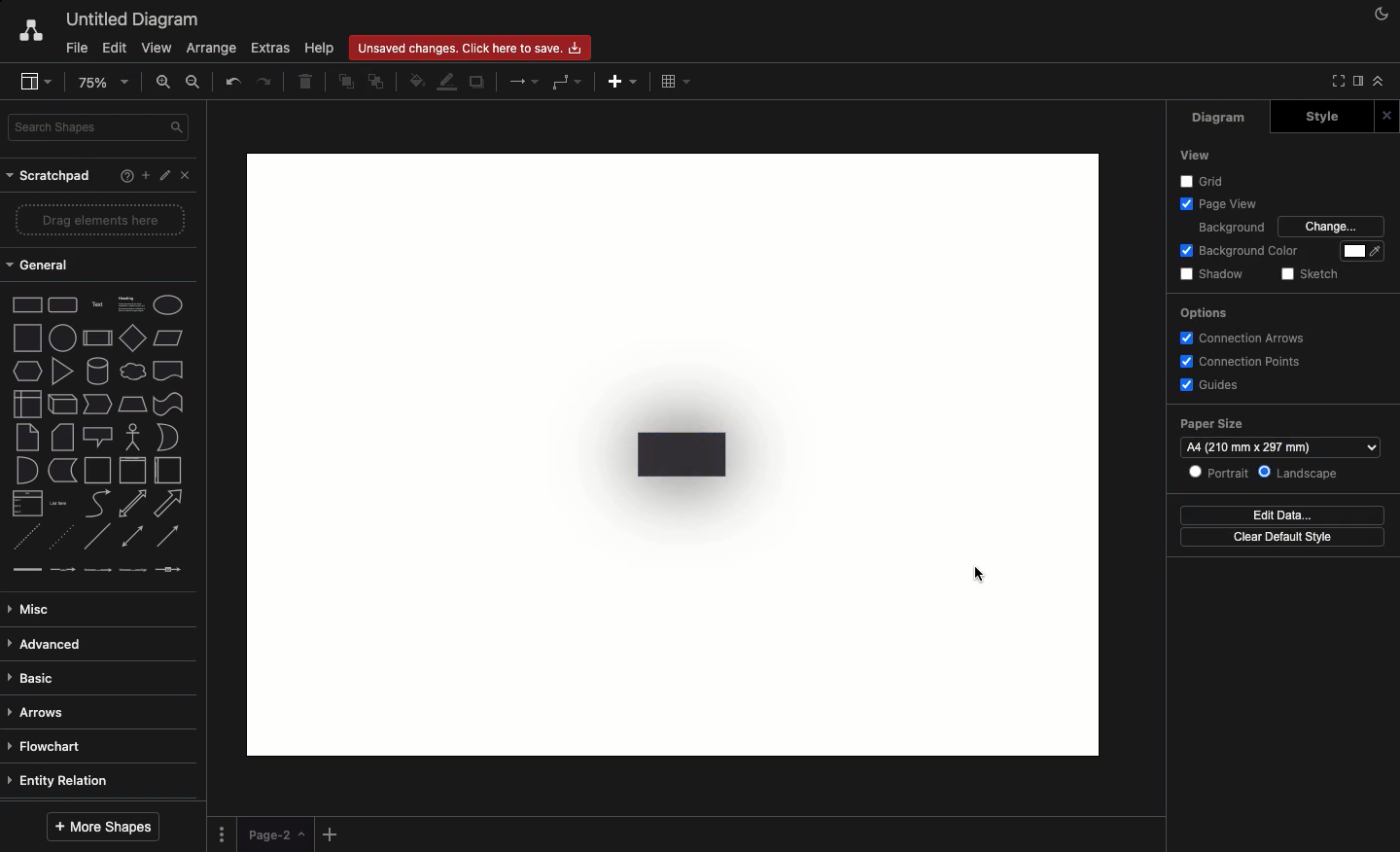 This screenshot has width=1400, height=852. Describe the element at coordinates (1278, 436) in the screenshot. I see `Paper size` at that location.